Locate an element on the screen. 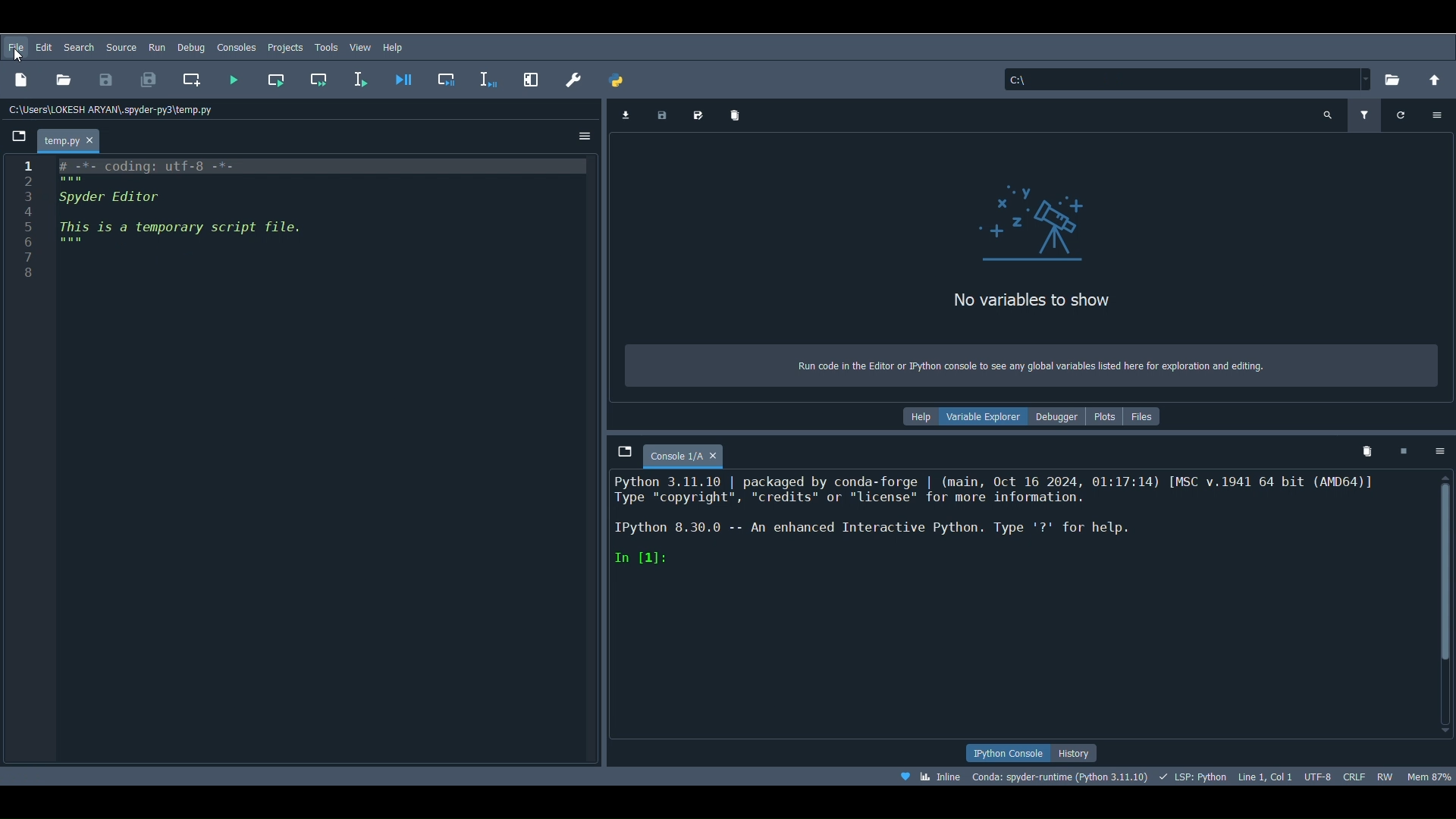  Search is located at coordinates (81, 45).